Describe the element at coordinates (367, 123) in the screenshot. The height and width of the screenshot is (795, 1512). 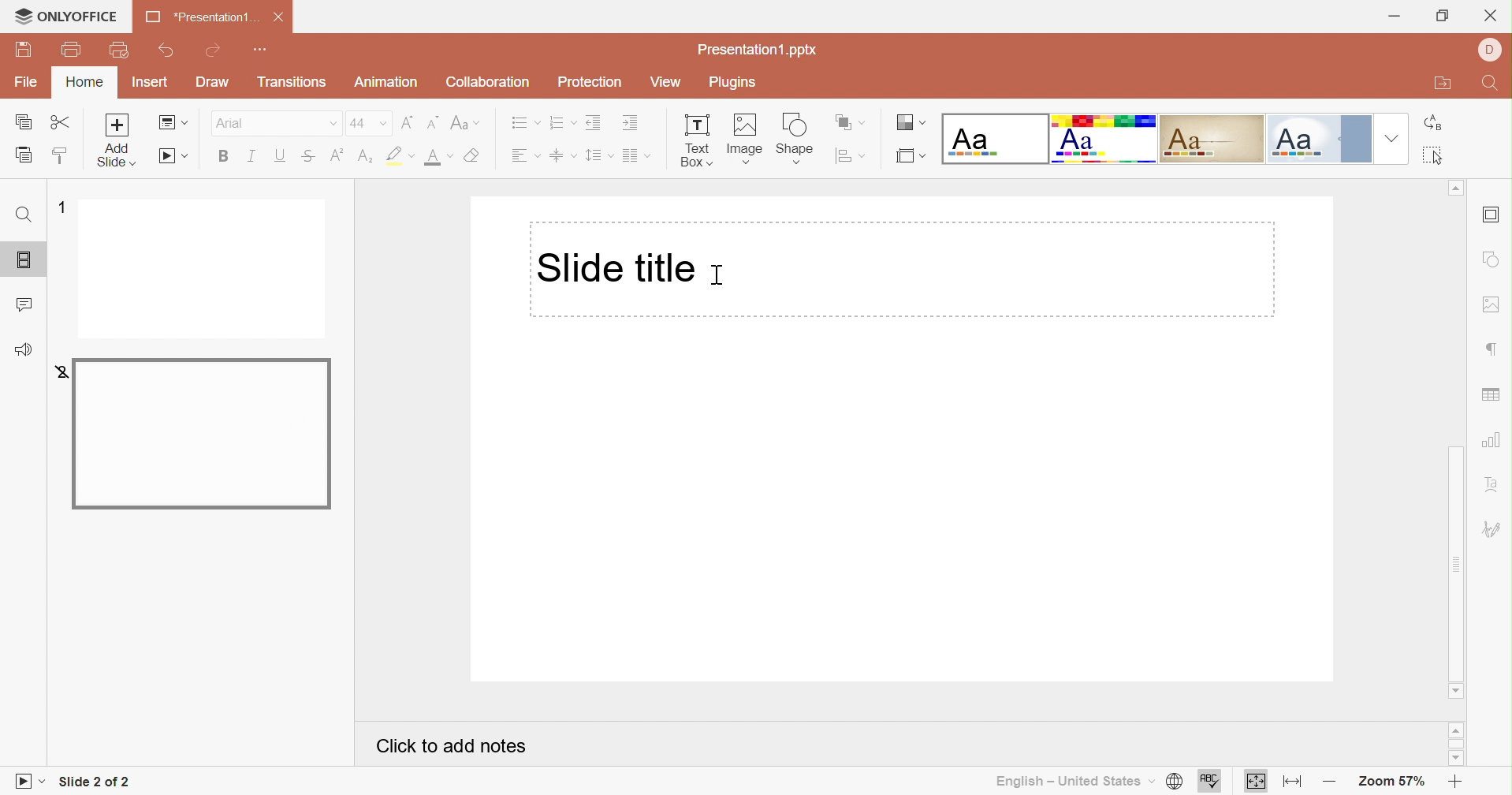
I see `Font size` at that location.